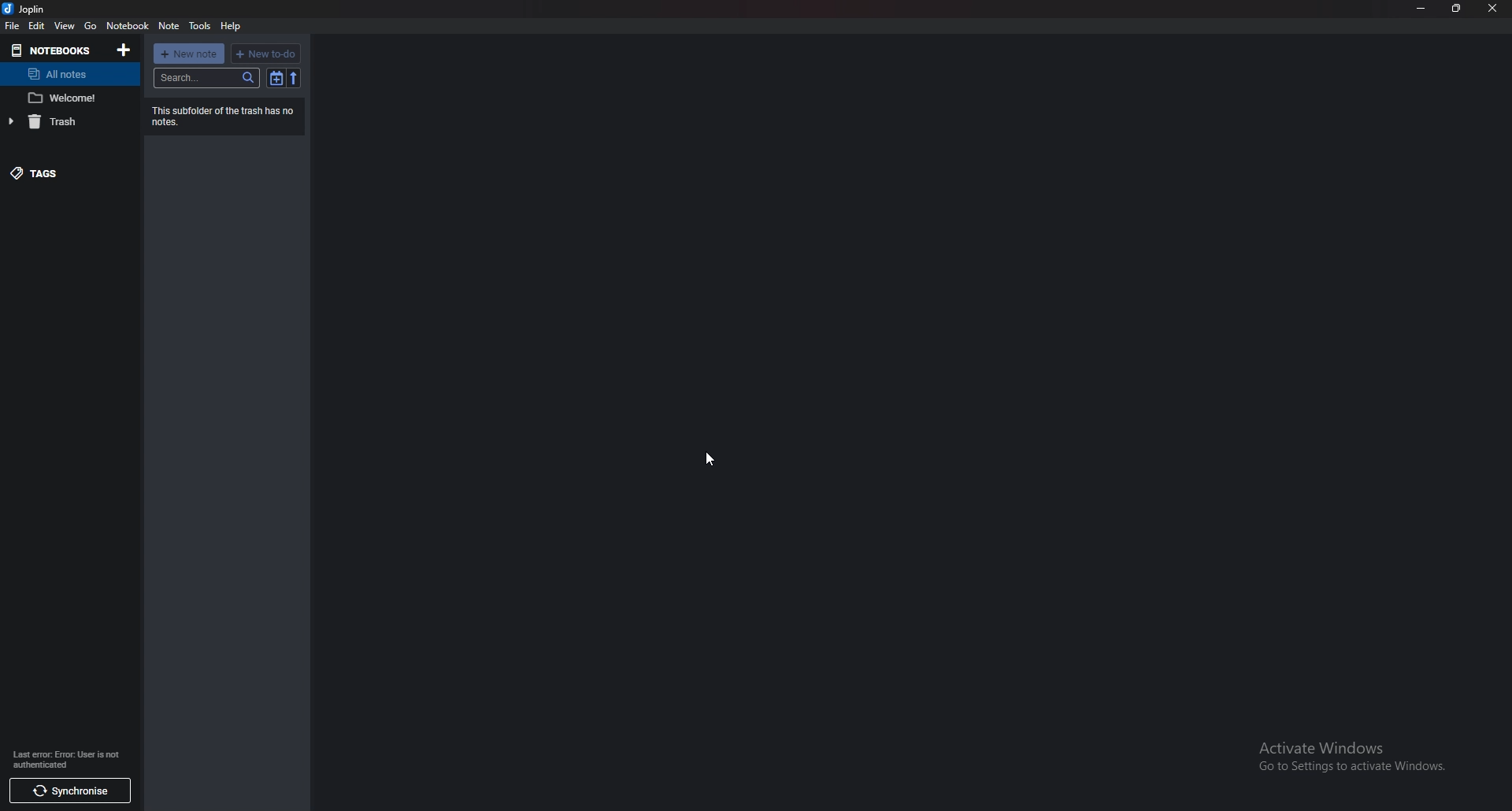  What do you see at coordinates (209, 77) in the screenshot?
I see `search` at bounding box center [209, 77].